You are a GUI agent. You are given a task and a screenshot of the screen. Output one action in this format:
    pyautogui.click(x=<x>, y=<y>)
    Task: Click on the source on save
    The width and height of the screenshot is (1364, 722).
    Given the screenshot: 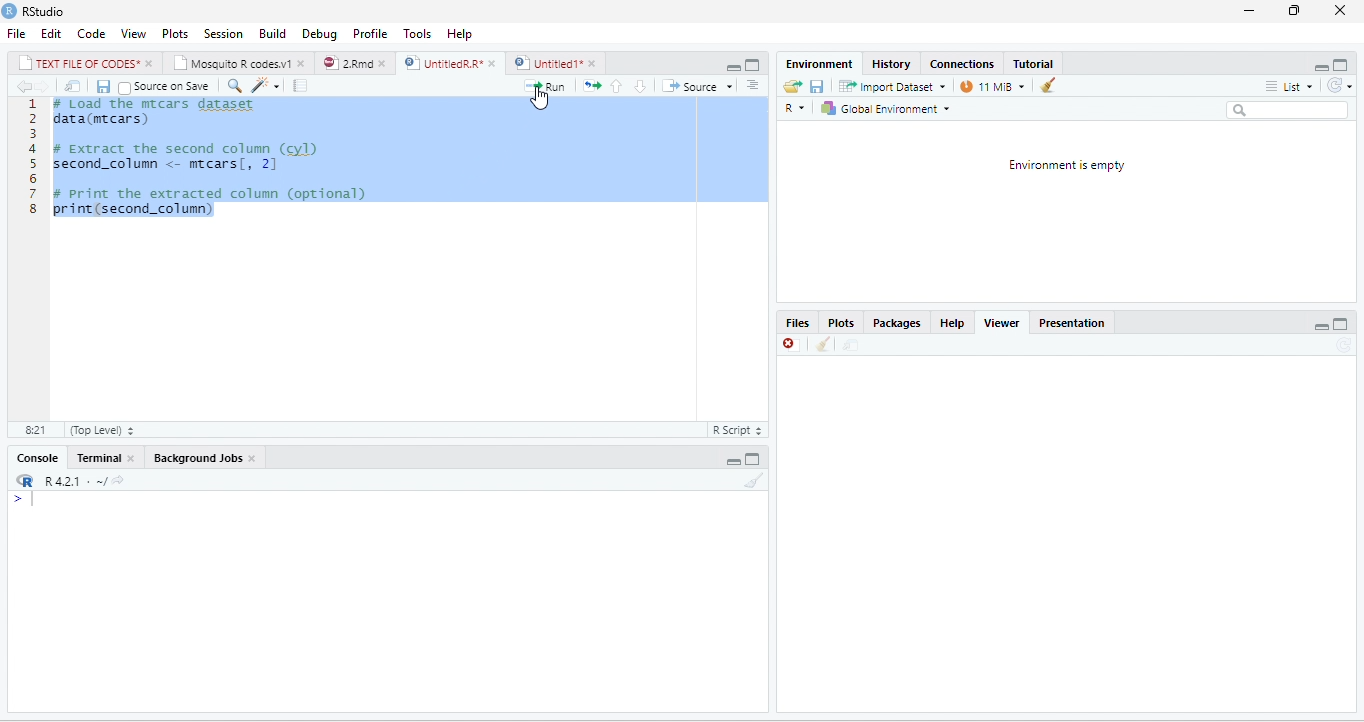 What is the action you would take?
    pyautogui.click(x=171, y=86)
    